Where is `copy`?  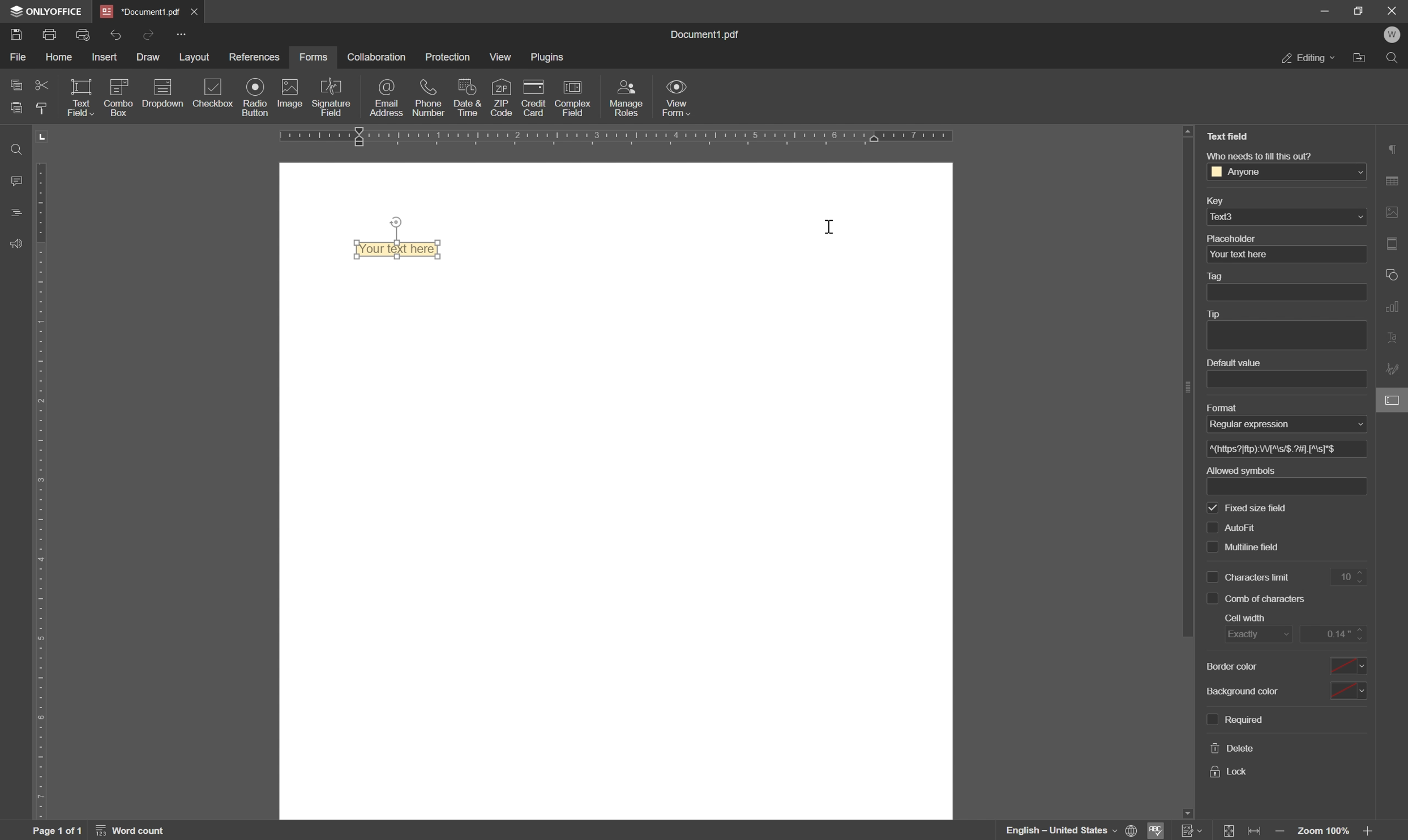
copy is located at coordinates (13, 85).